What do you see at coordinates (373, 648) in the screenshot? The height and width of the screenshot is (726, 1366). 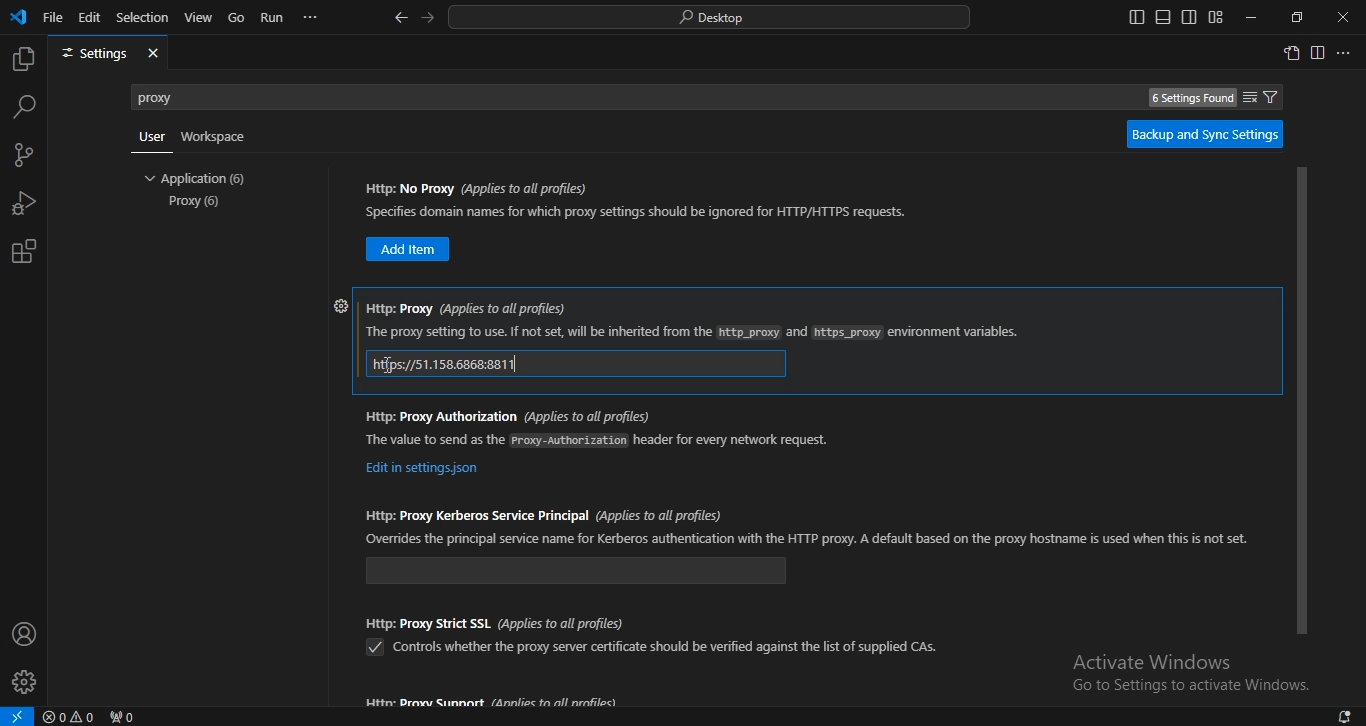 I see `Checkbox ` at bounding box center [373, 648].